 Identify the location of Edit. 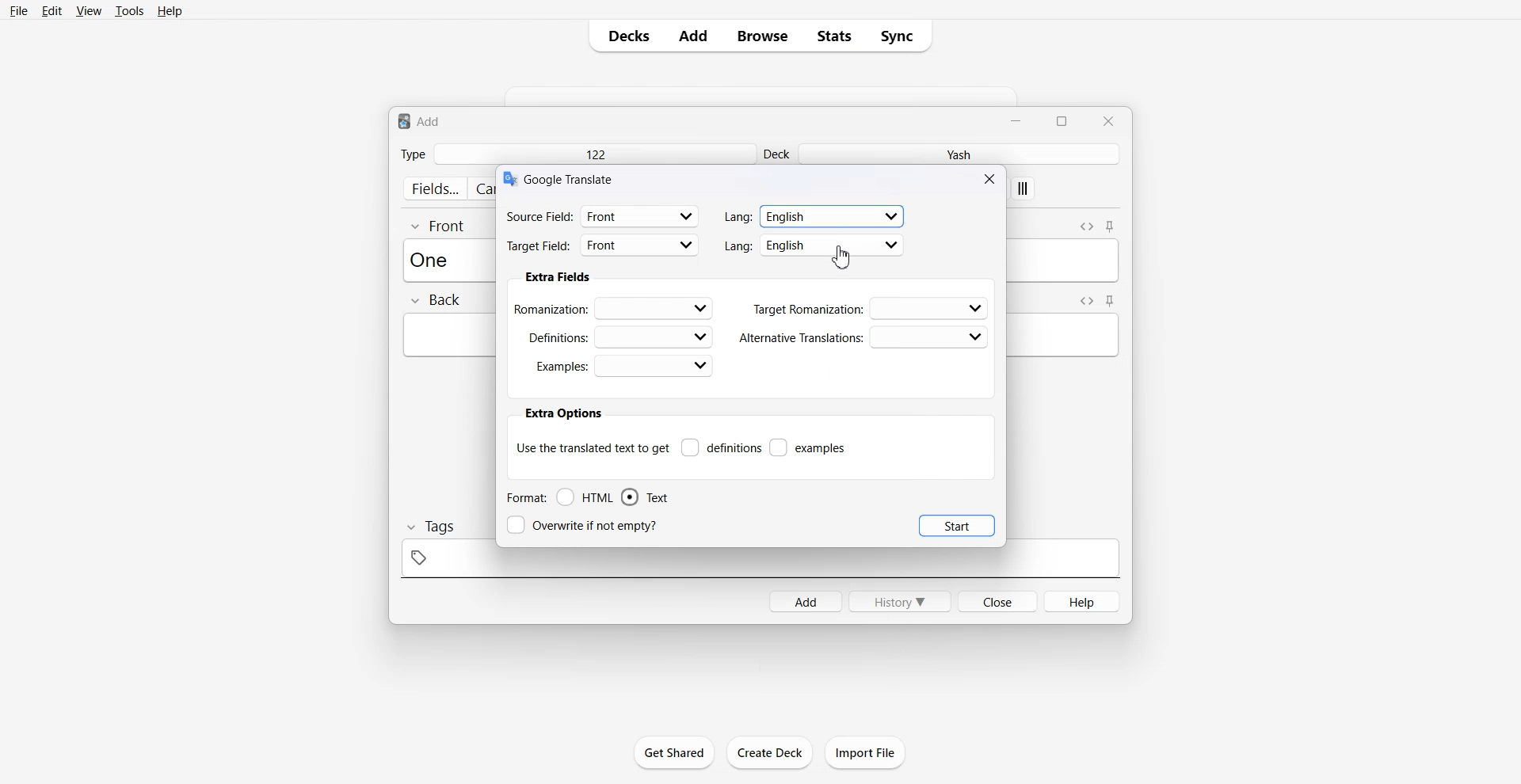
(51, 10).